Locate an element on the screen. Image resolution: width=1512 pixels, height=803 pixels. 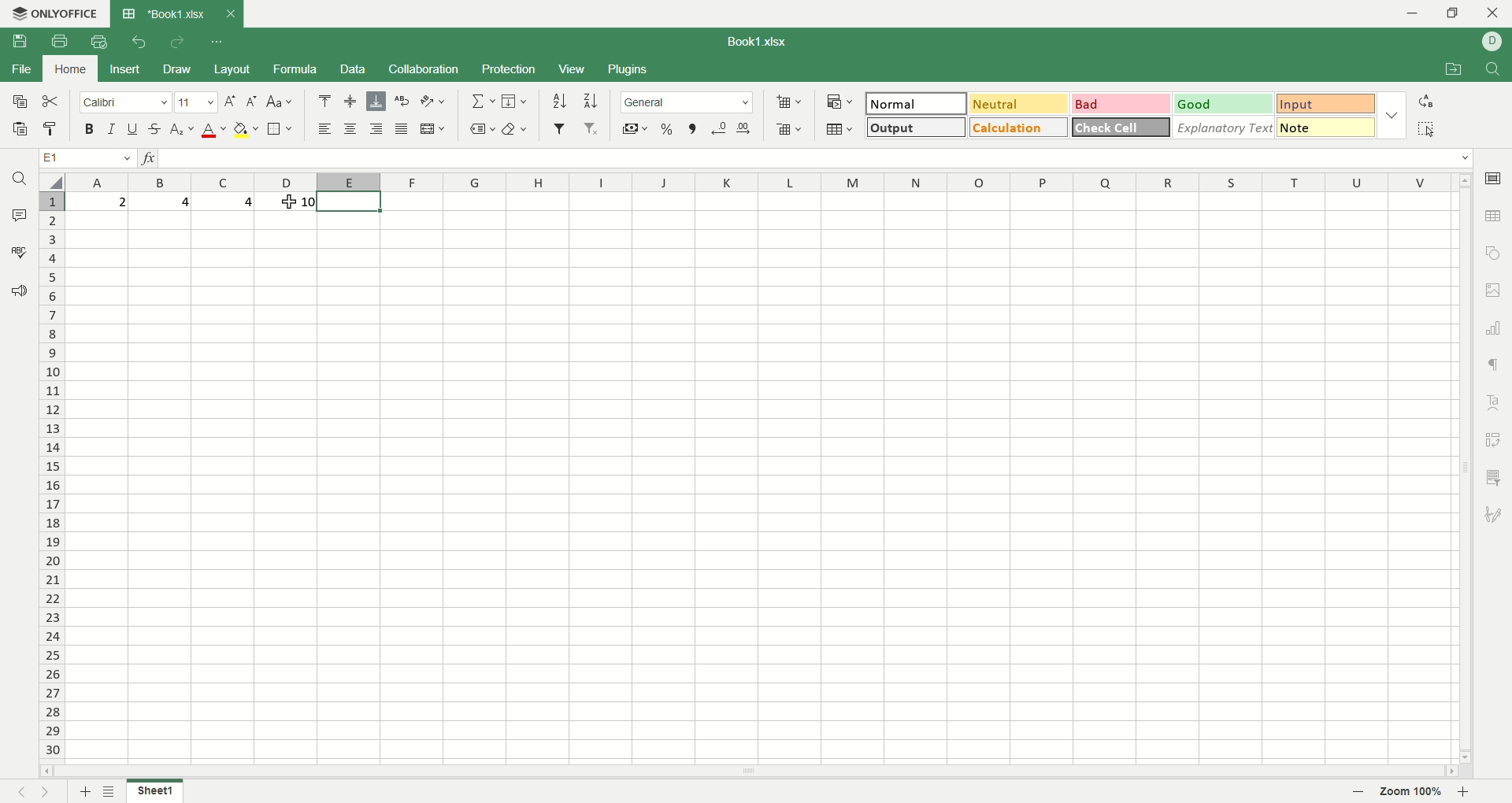
cursor is located at coordinates (290, 205).